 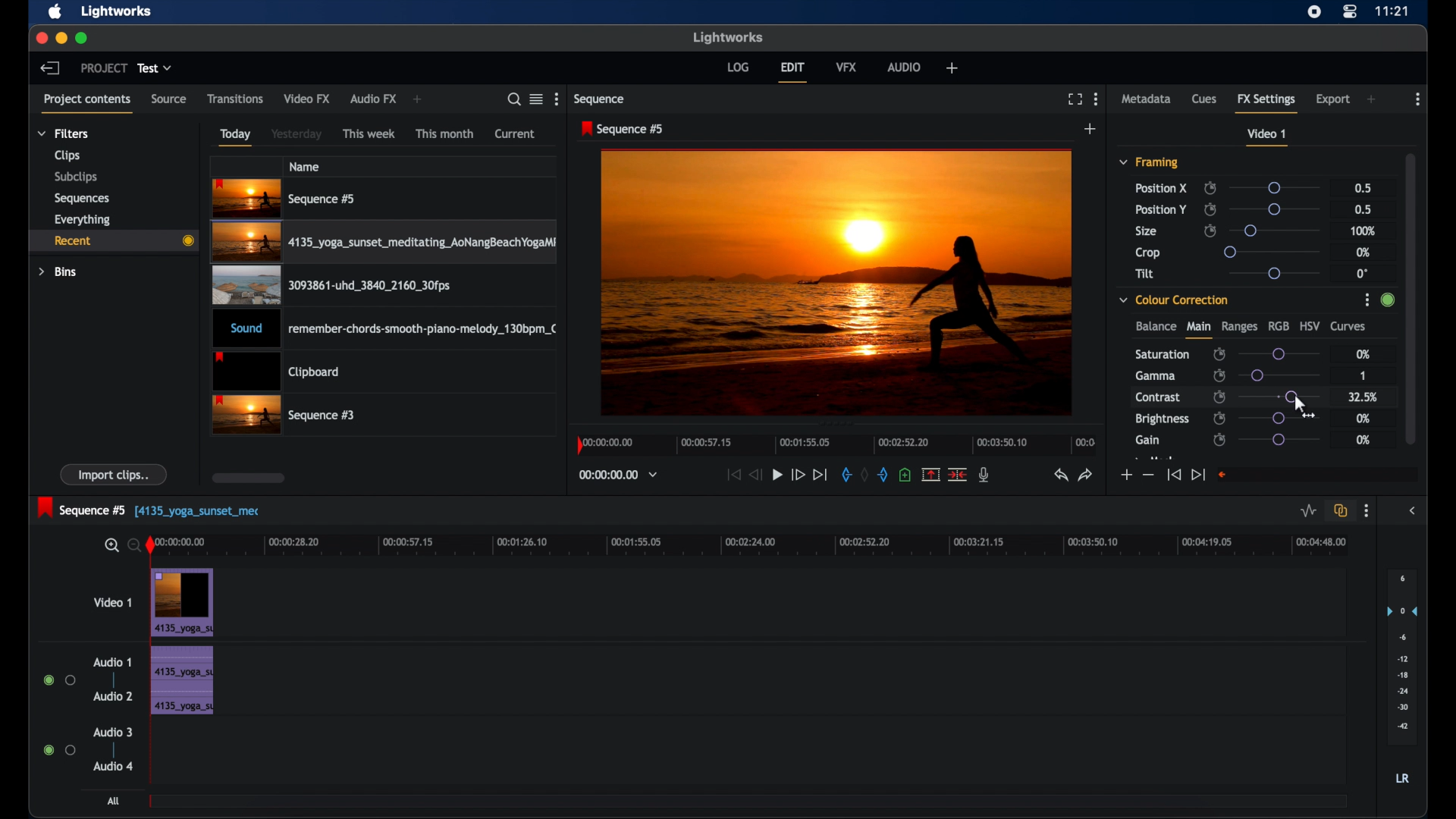 I want to click on filters dropdown, so click(x=67, y=134).